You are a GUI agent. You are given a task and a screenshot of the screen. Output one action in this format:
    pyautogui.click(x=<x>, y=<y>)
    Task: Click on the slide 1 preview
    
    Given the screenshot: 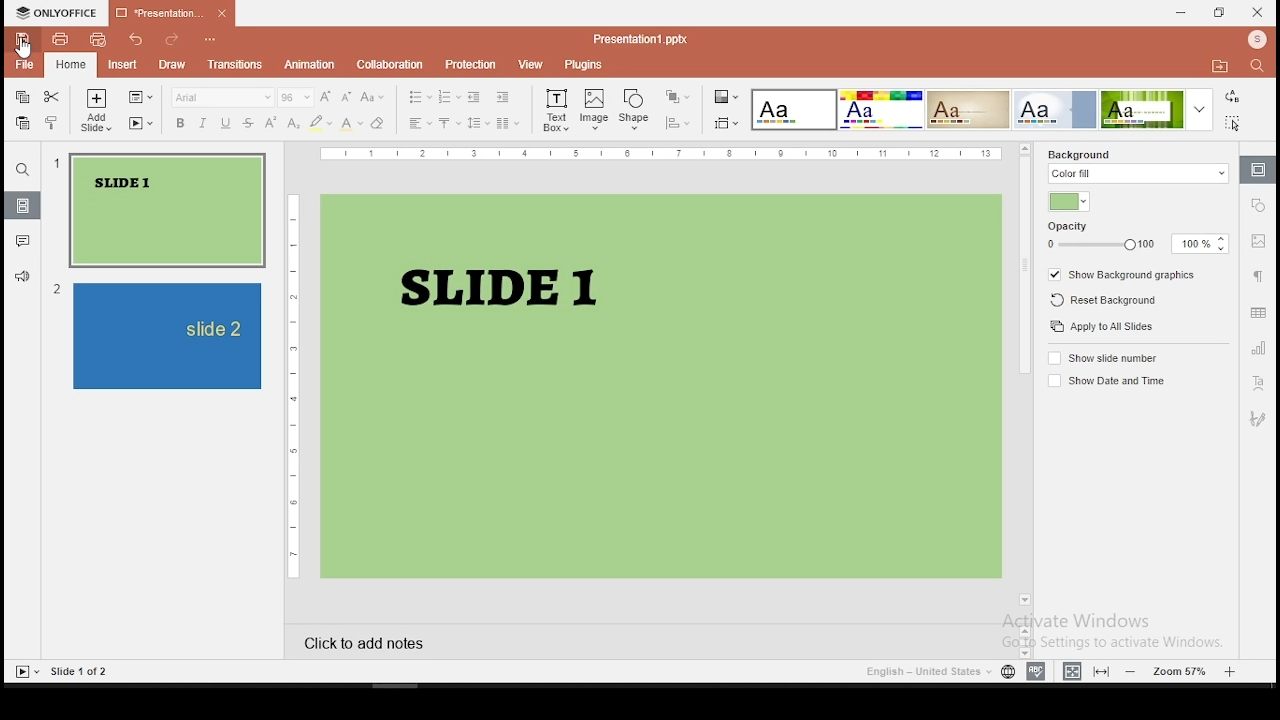 What is the action you would take?
    pyautogui.click(x=160, y=211)
    